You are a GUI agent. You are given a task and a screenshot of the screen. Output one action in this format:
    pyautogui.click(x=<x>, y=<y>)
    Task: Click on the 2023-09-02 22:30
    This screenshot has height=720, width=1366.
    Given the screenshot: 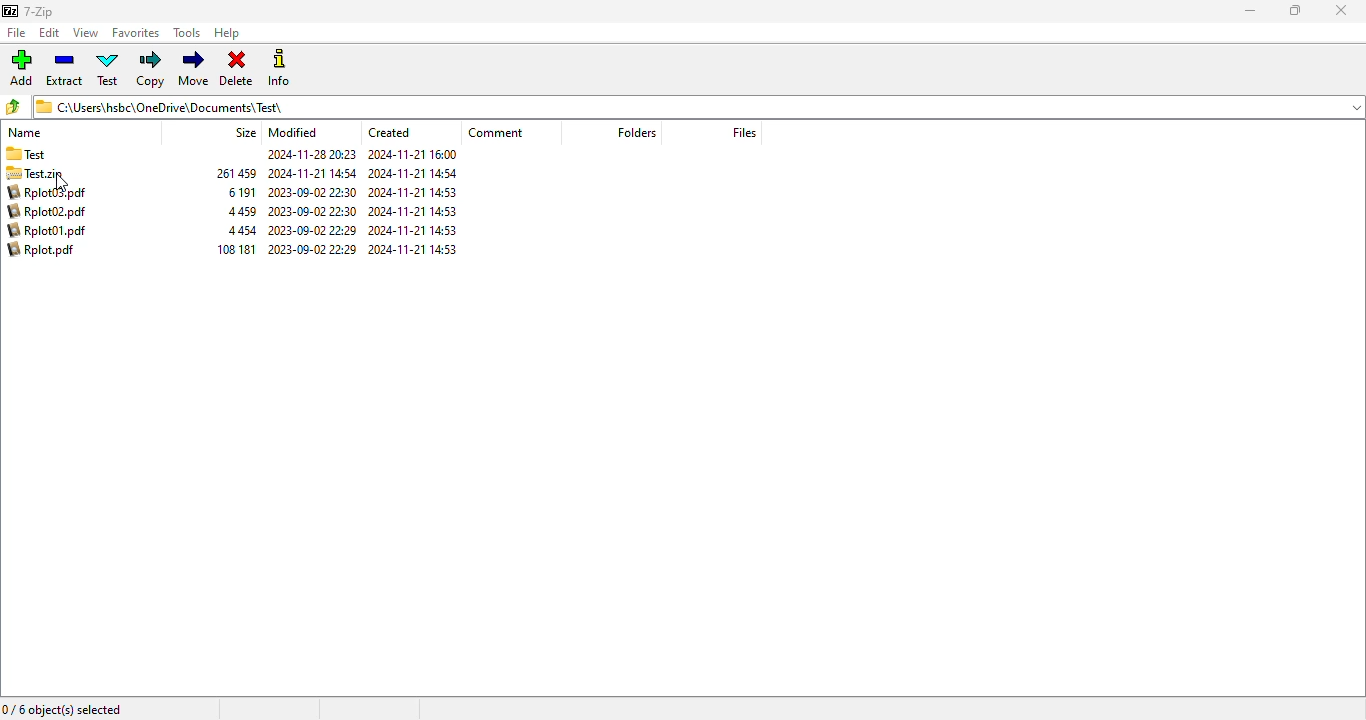 What is the action you would take?
    pyautogui.click(x=313, y=211)
    